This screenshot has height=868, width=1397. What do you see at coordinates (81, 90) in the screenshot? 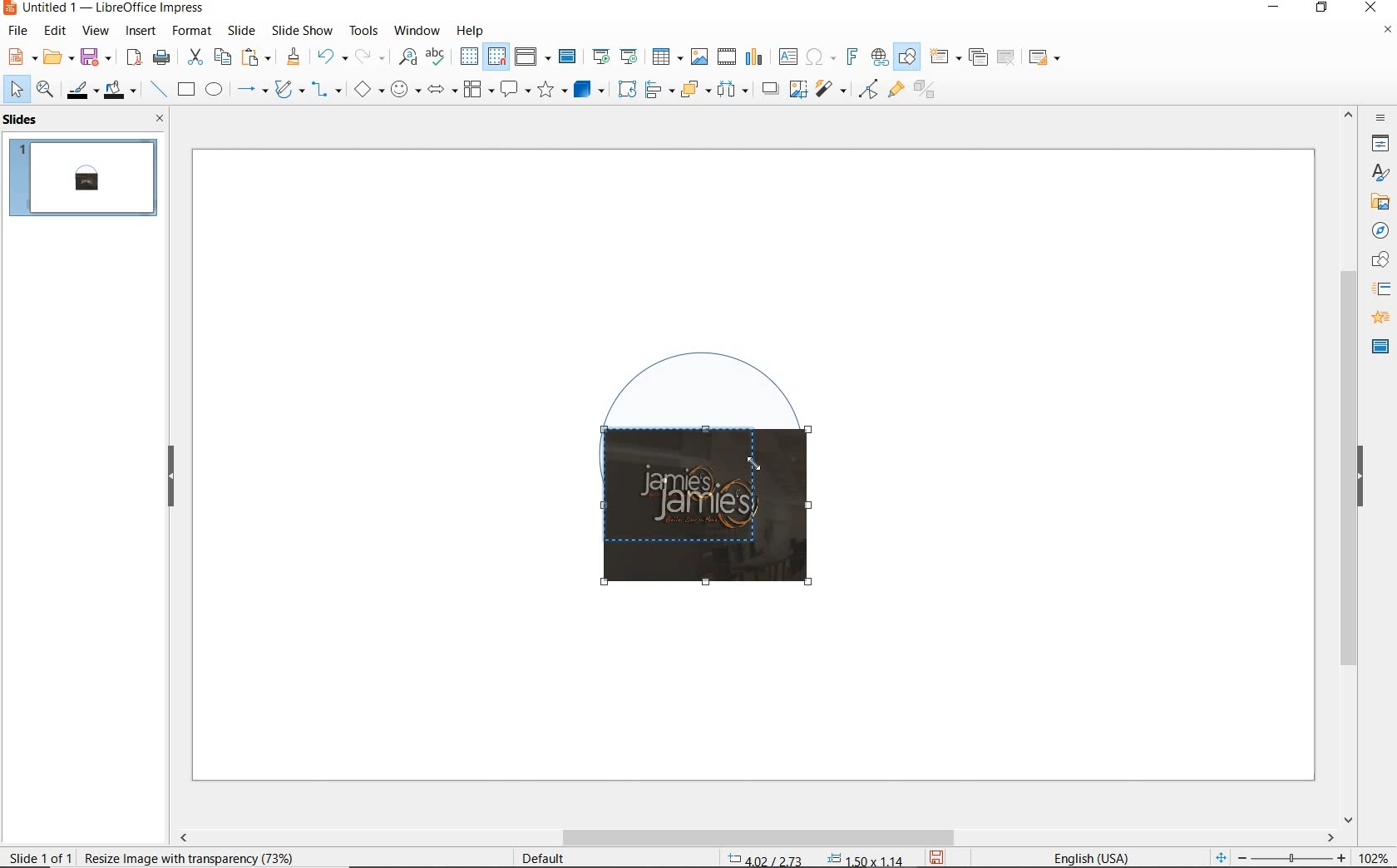
I see `line color` at bounding box center [81, 90].